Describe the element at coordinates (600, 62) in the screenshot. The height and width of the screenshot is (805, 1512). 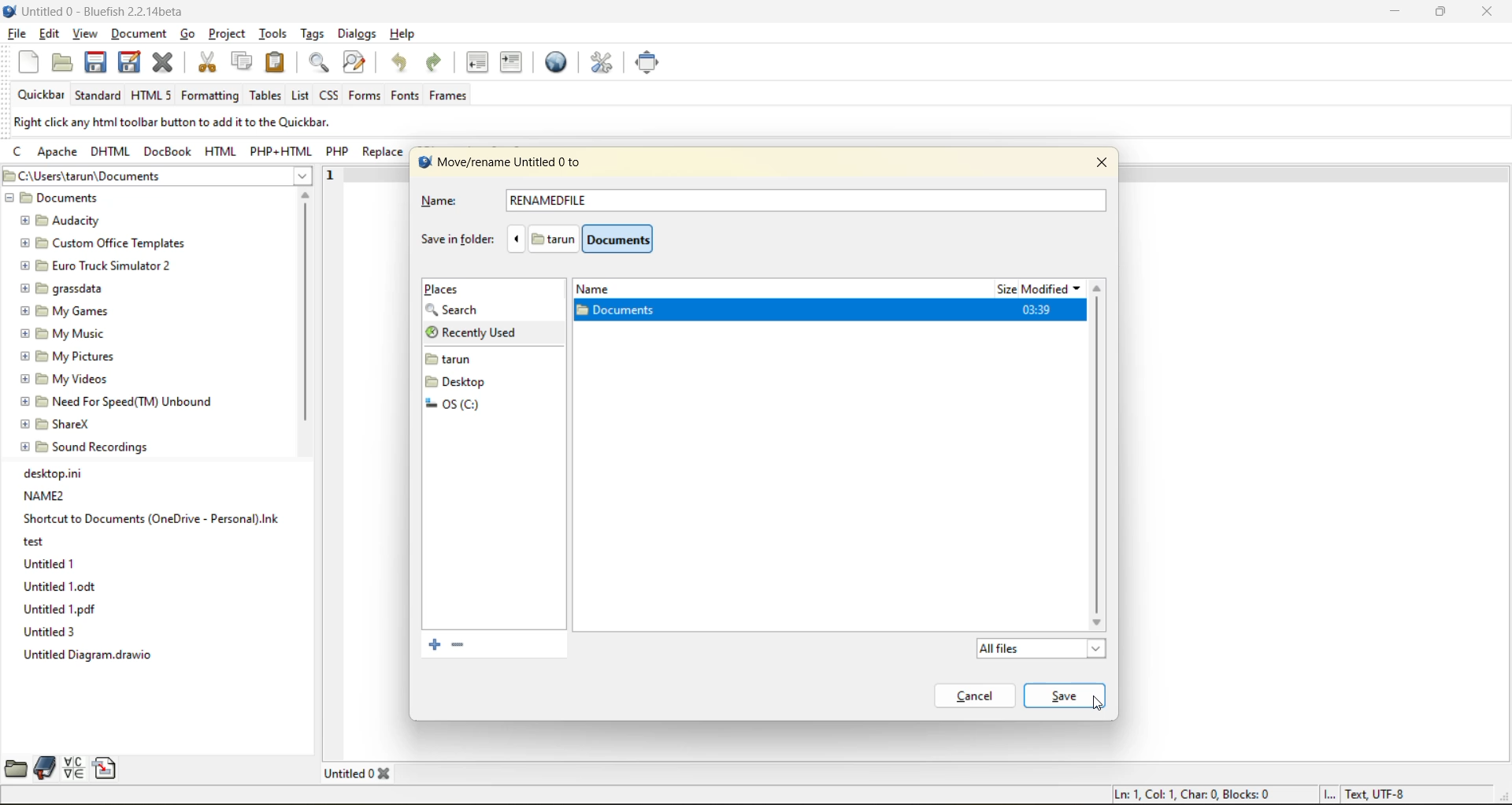
I see `edit preferences` at that location.